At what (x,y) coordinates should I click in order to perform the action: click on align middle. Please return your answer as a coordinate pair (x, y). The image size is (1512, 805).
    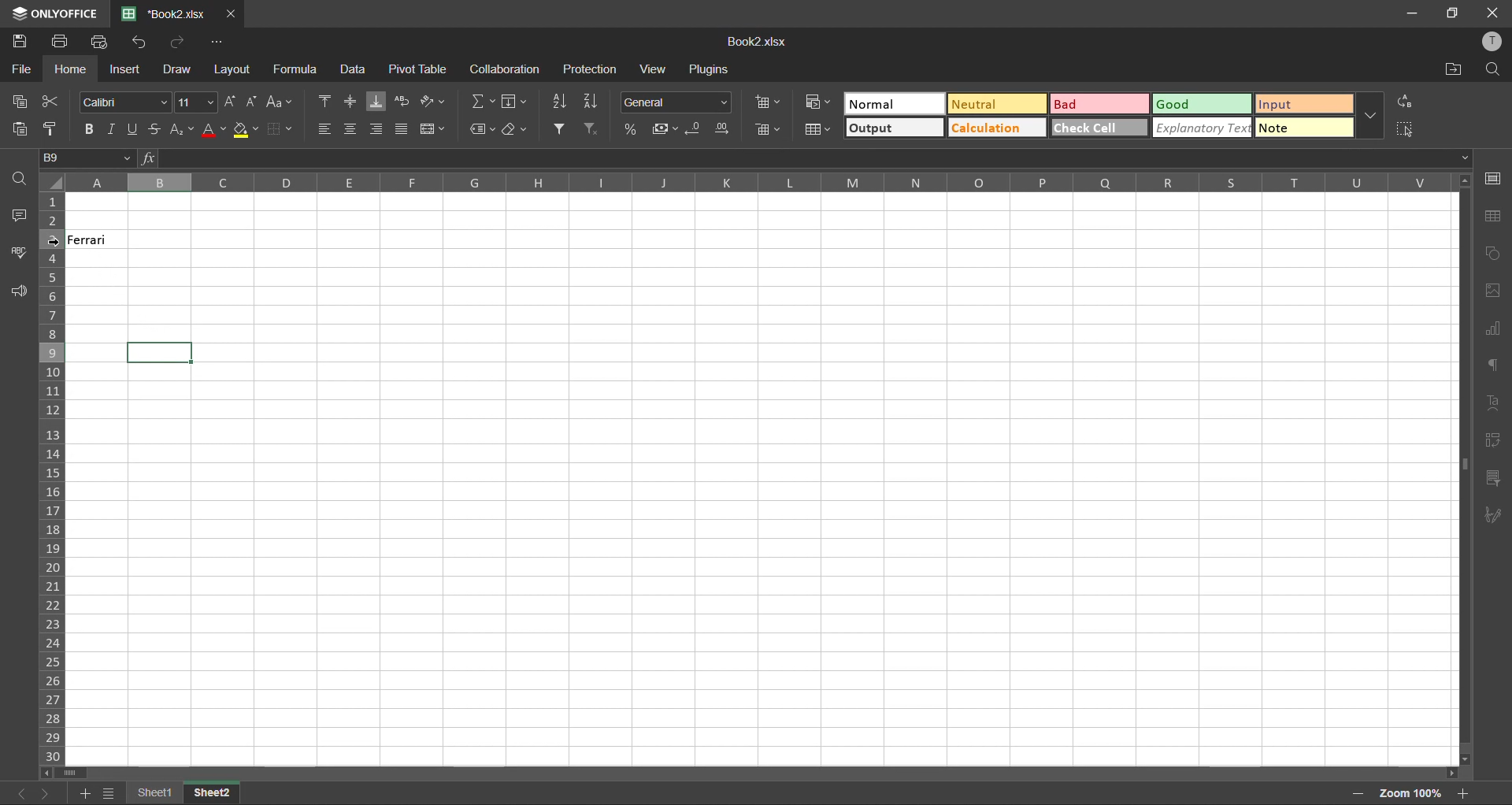
    Looking at the image, I should click on (351, 99).